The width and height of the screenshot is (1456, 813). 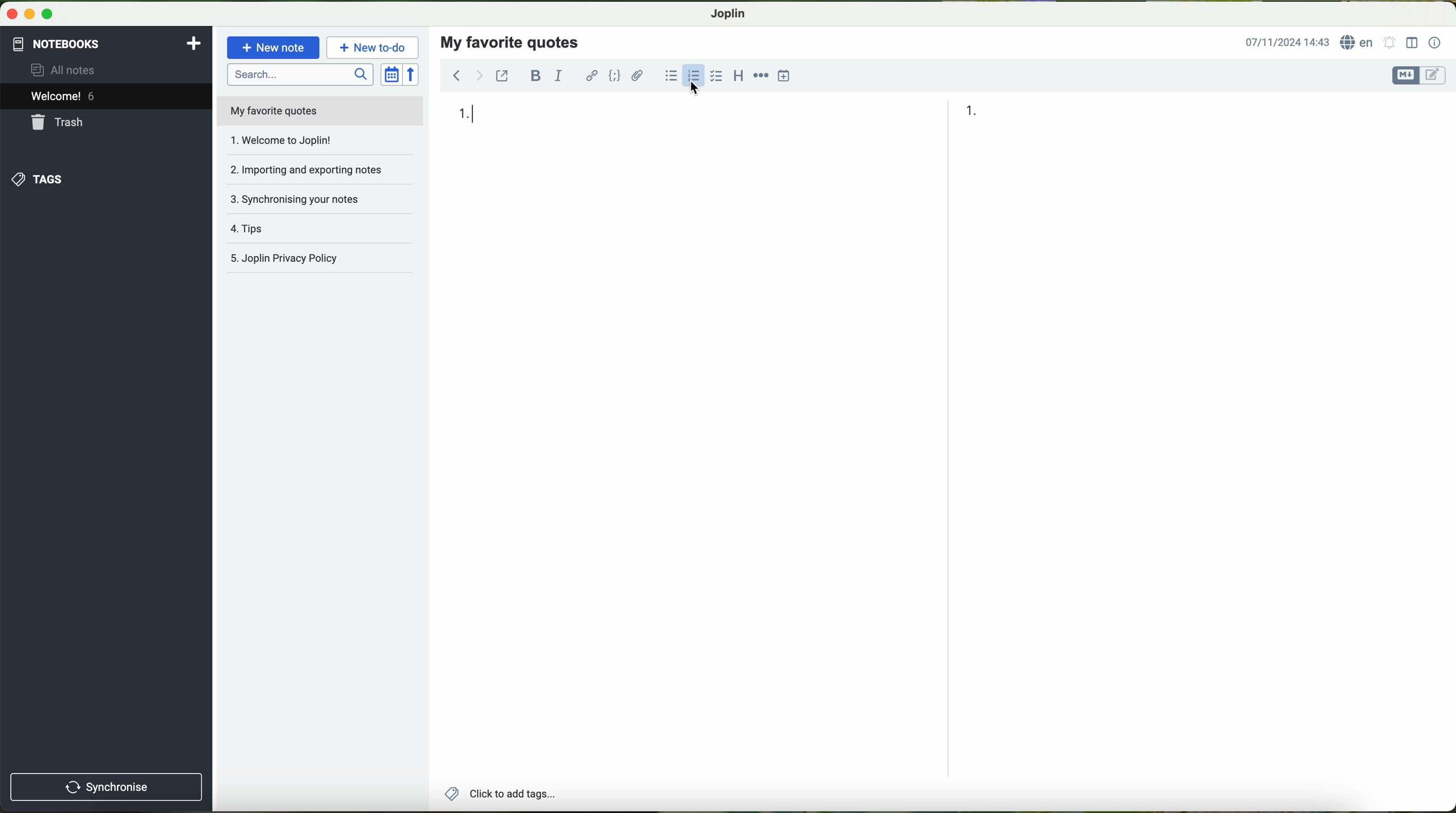 What do you see at coordinates (307, 141) in the screenshot?
I see `welcome to joplin` at bounding box center [307, 141].